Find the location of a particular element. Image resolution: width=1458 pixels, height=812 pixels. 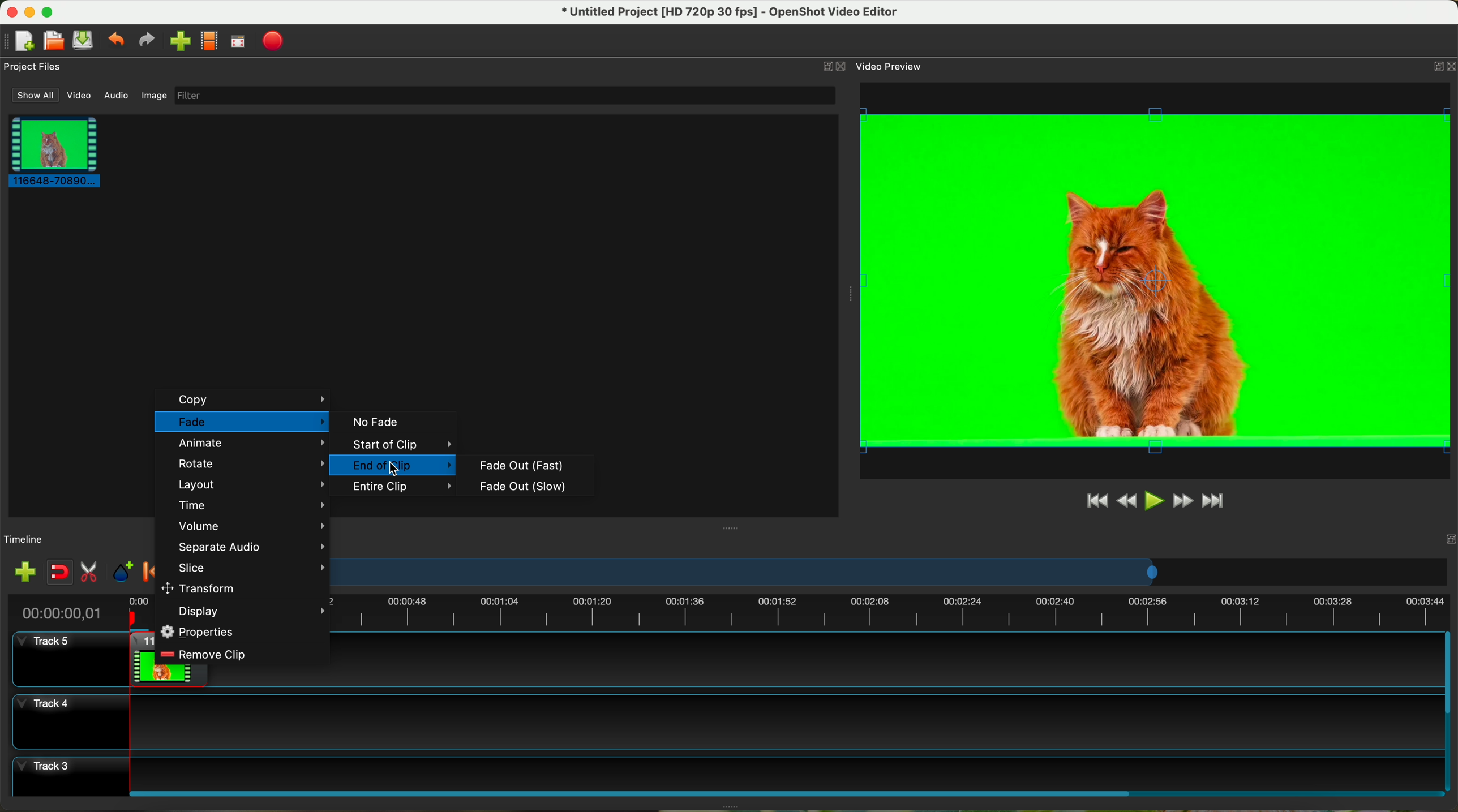

drag video to track 5 is located at coordinates (141, 658).